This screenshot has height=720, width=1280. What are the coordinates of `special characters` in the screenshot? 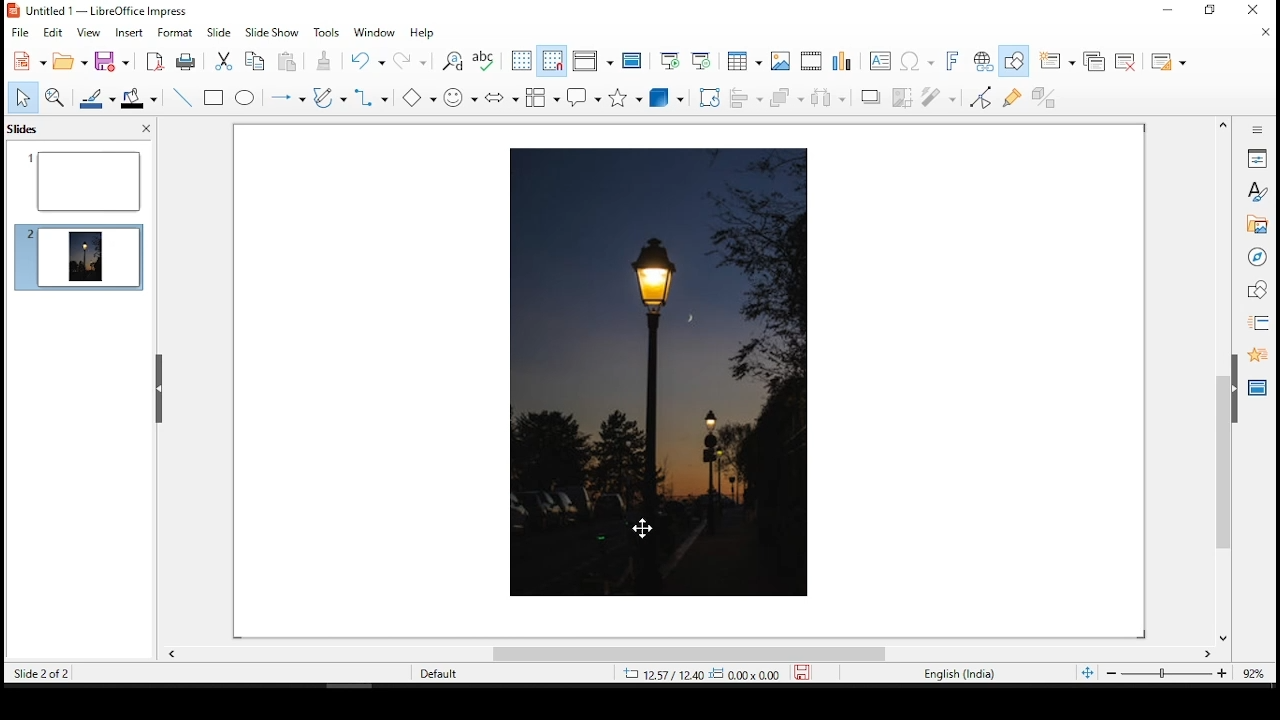 It's located at (916, 61).